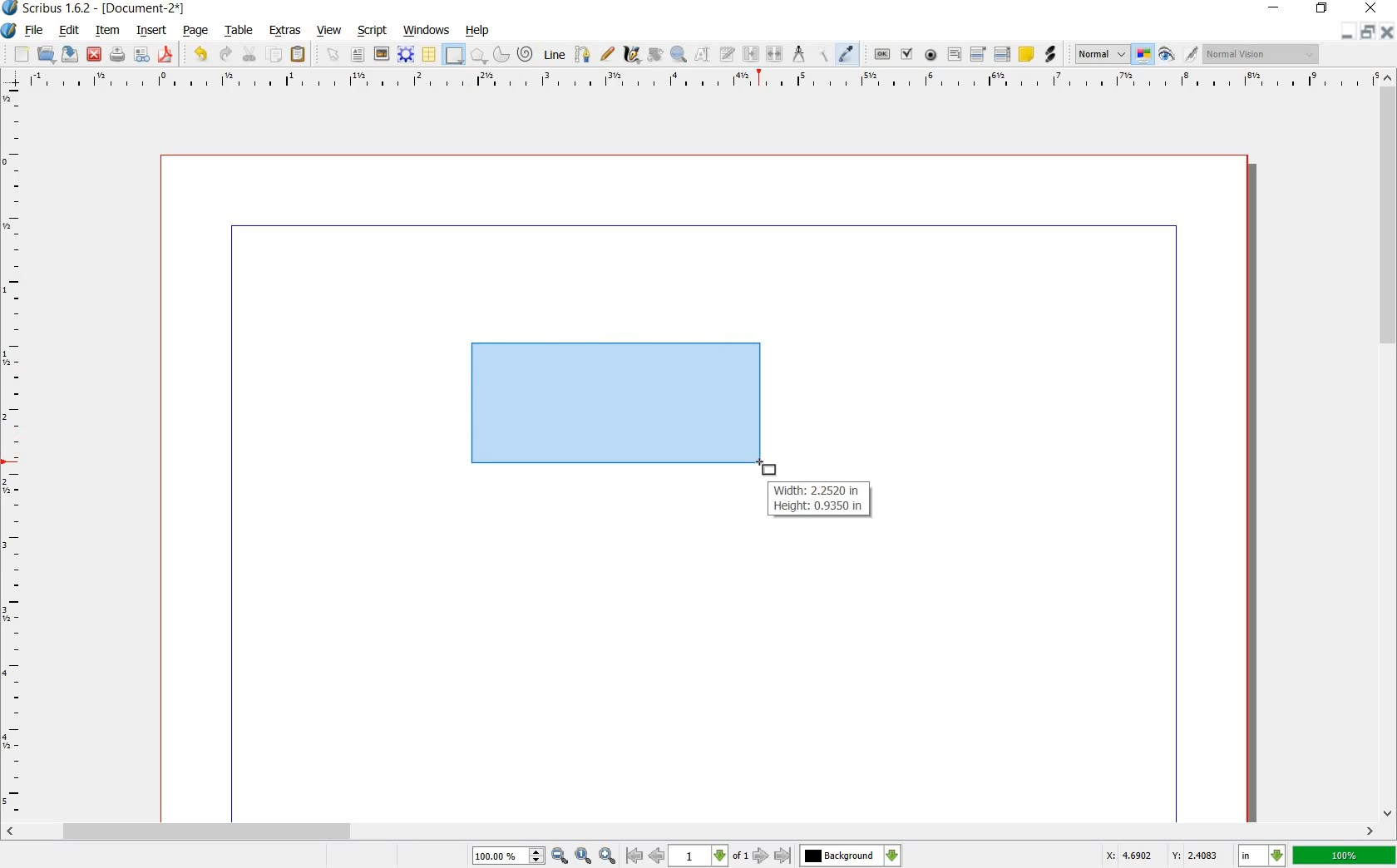 Image resolution: width=1397 pixels, height=868 pixels. I want to click on PAGE, so click(195, 32).